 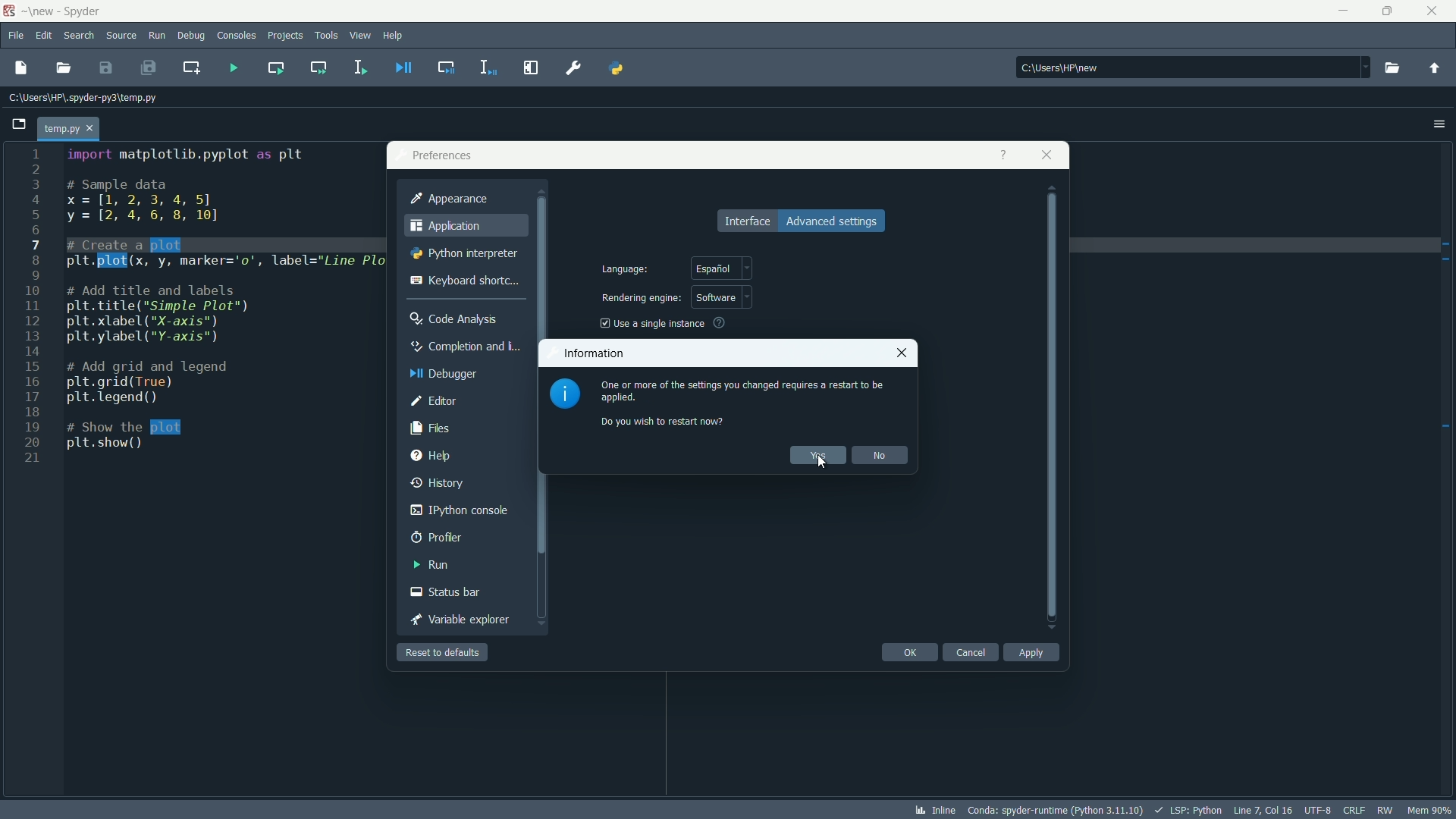 What do you see at coordinates (1435, 69) in the screenshot?
I see `parent directory` at bounding box center [1435, 69].